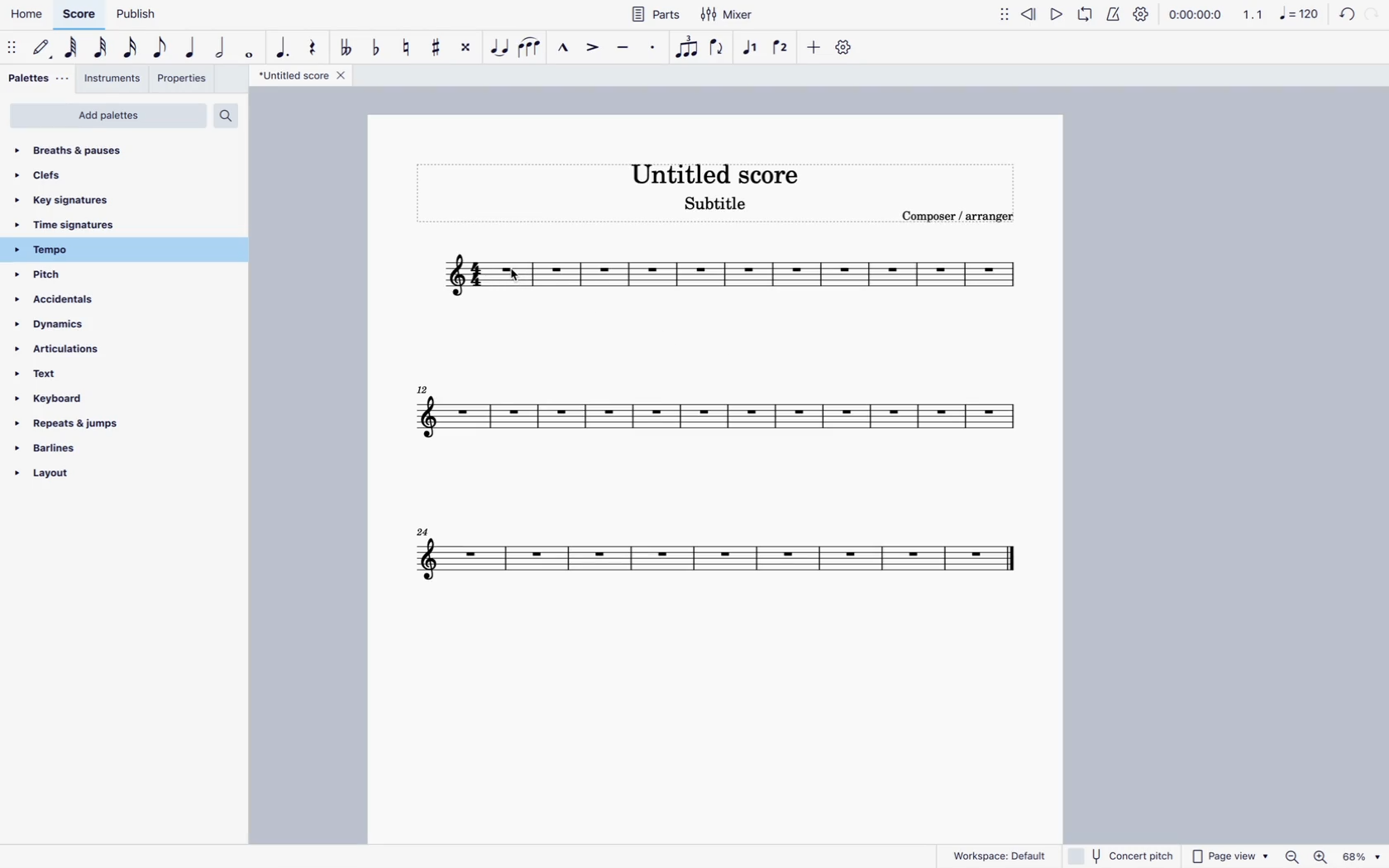  I want to click on , so click(1364, 856).